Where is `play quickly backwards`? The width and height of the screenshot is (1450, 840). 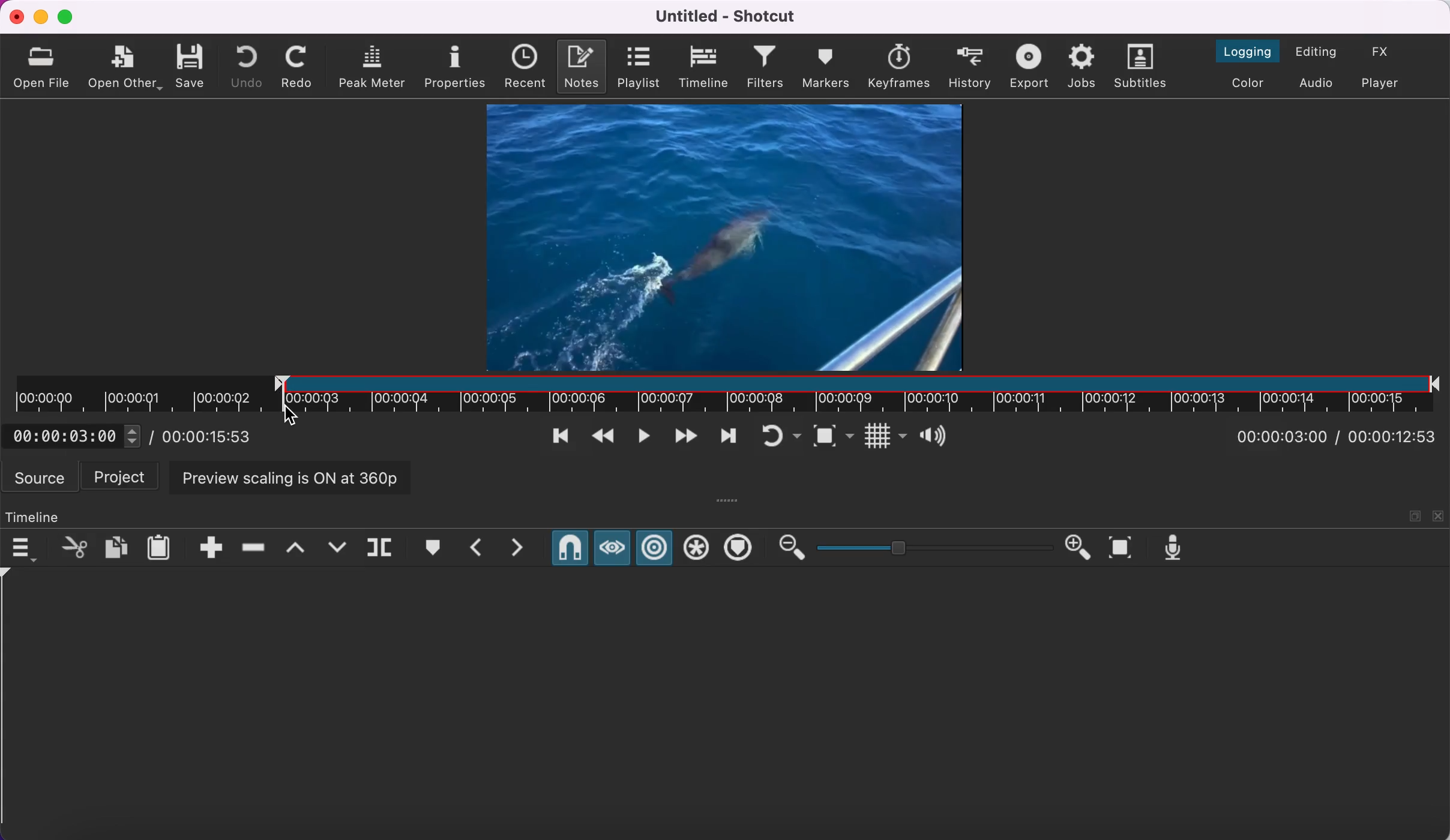
play quickly backwards is located at coordinates (602, 438).